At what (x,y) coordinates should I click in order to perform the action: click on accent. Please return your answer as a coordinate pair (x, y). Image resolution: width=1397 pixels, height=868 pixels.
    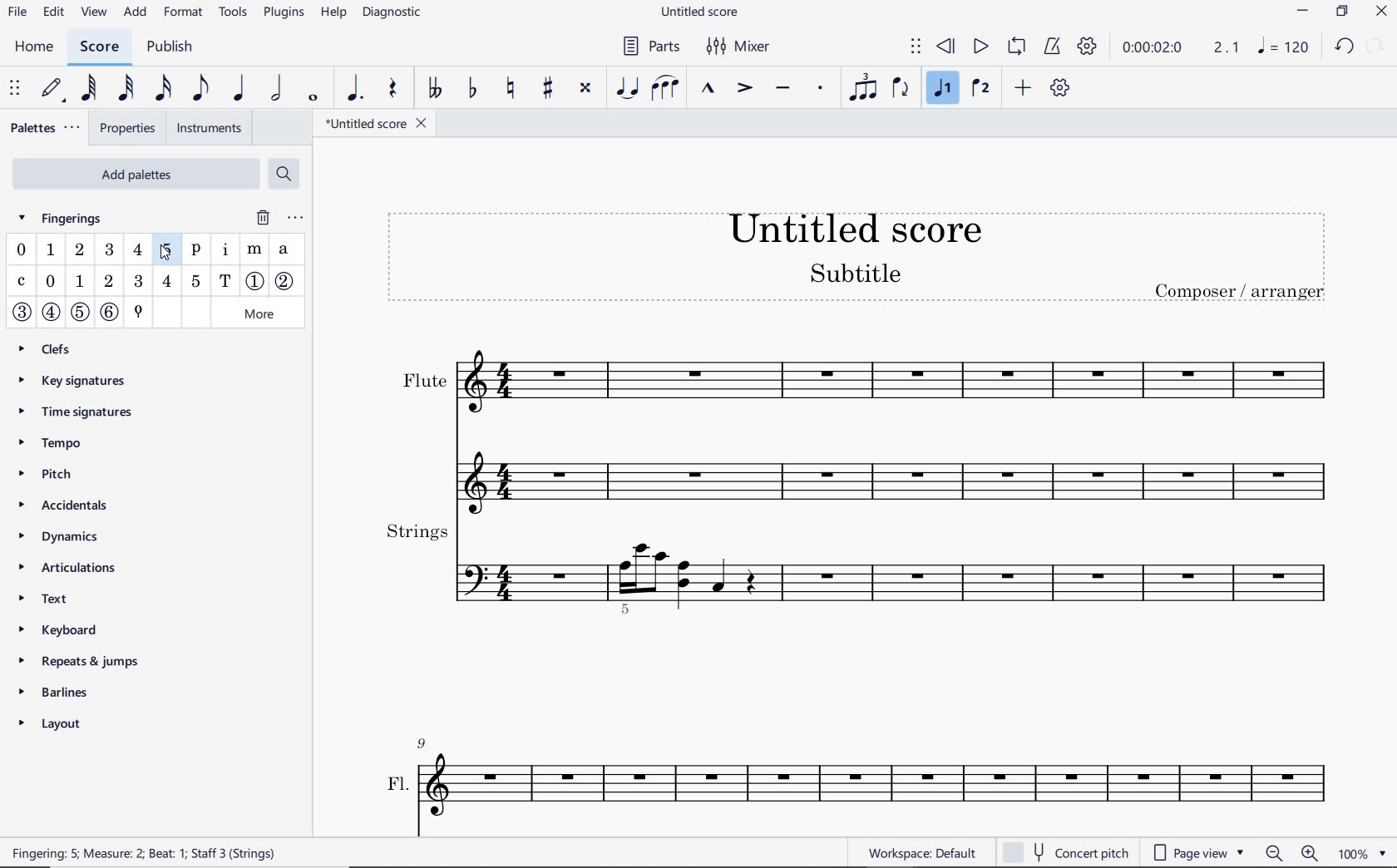
    Looking at the image, I should click on (743, 88).